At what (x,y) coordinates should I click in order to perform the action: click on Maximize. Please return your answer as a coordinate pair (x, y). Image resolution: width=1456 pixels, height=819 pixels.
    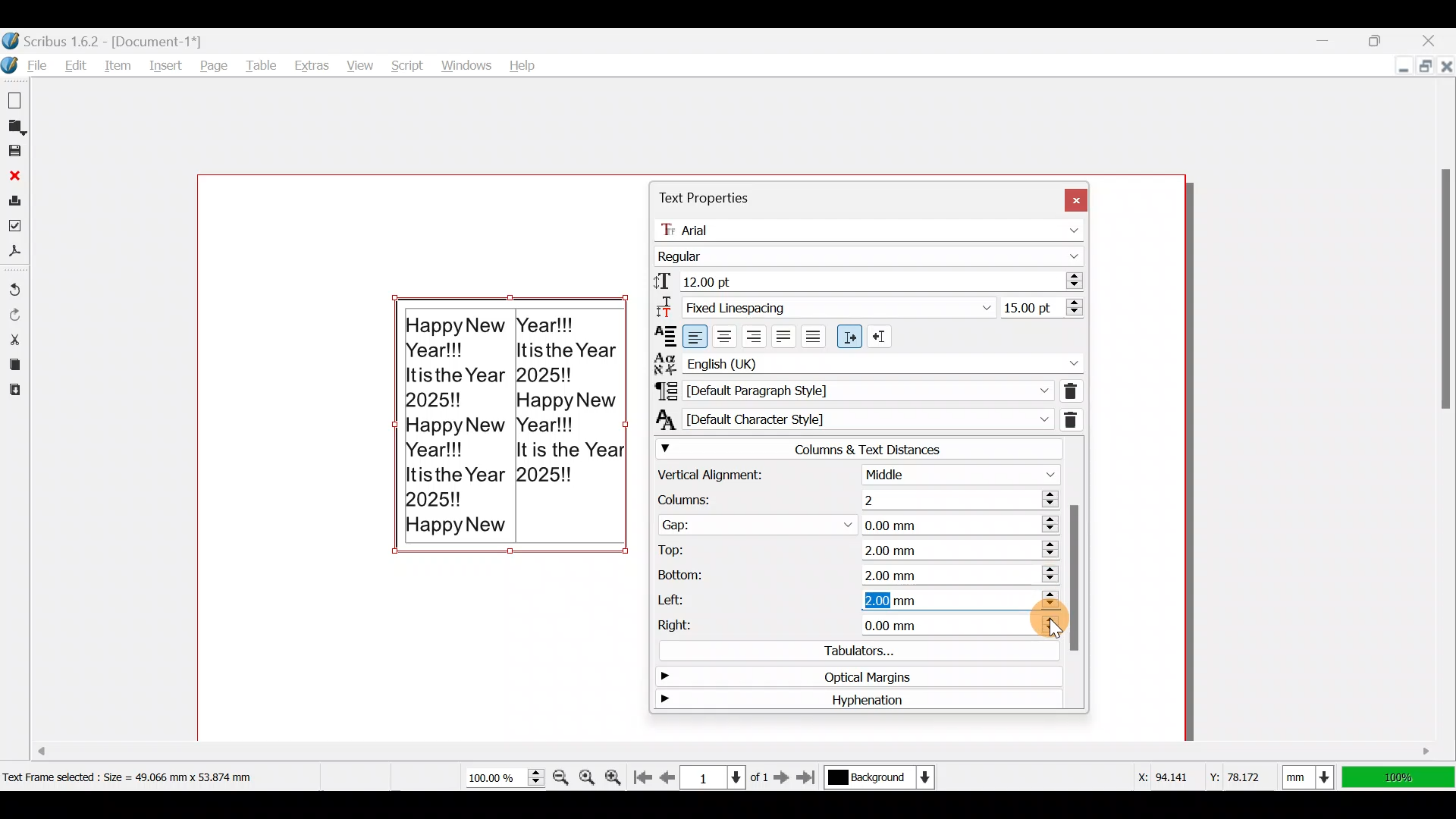
    Looking at the image, I should click on (1389, 39).